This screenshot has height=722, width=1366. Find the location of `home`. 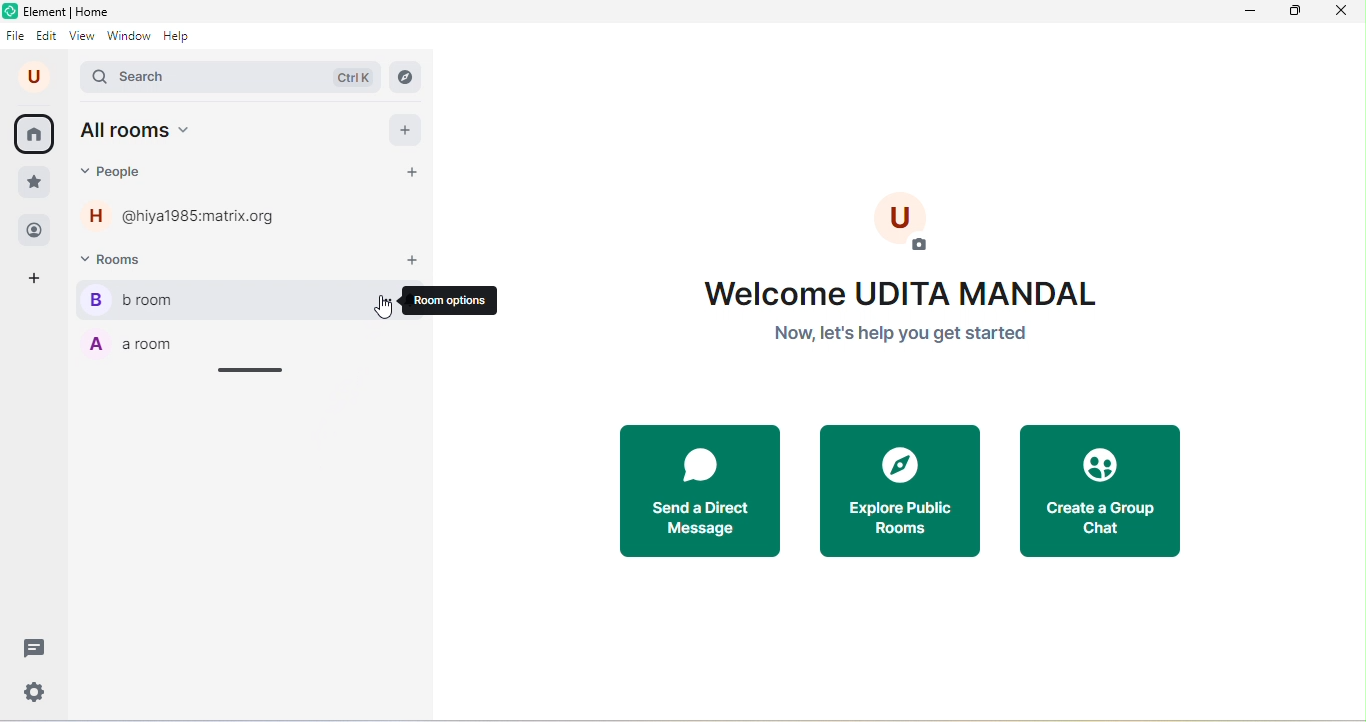

home is located at coordinates (33, 133).